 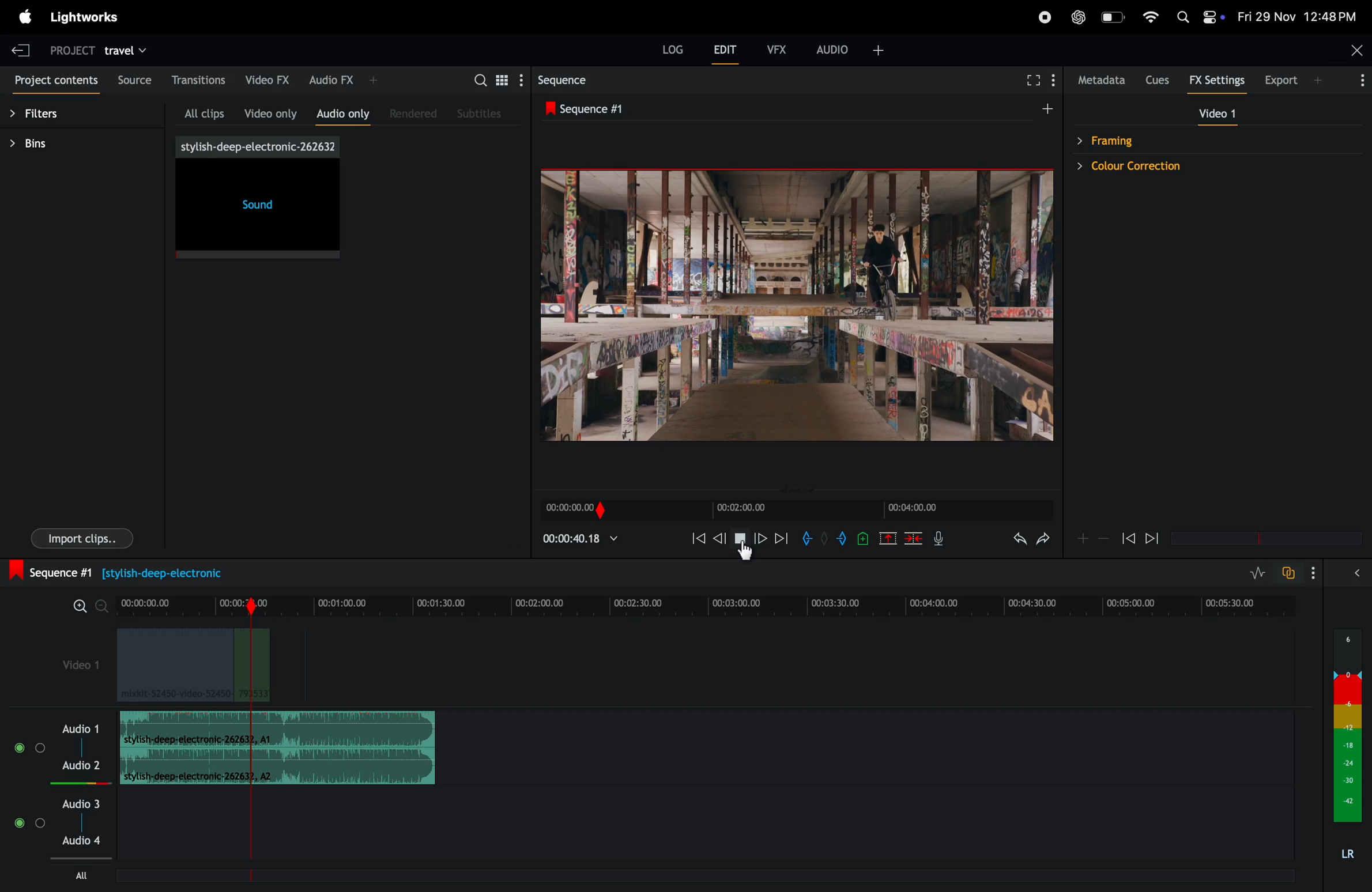 I want to click on travel, so click(x=133, y=49).